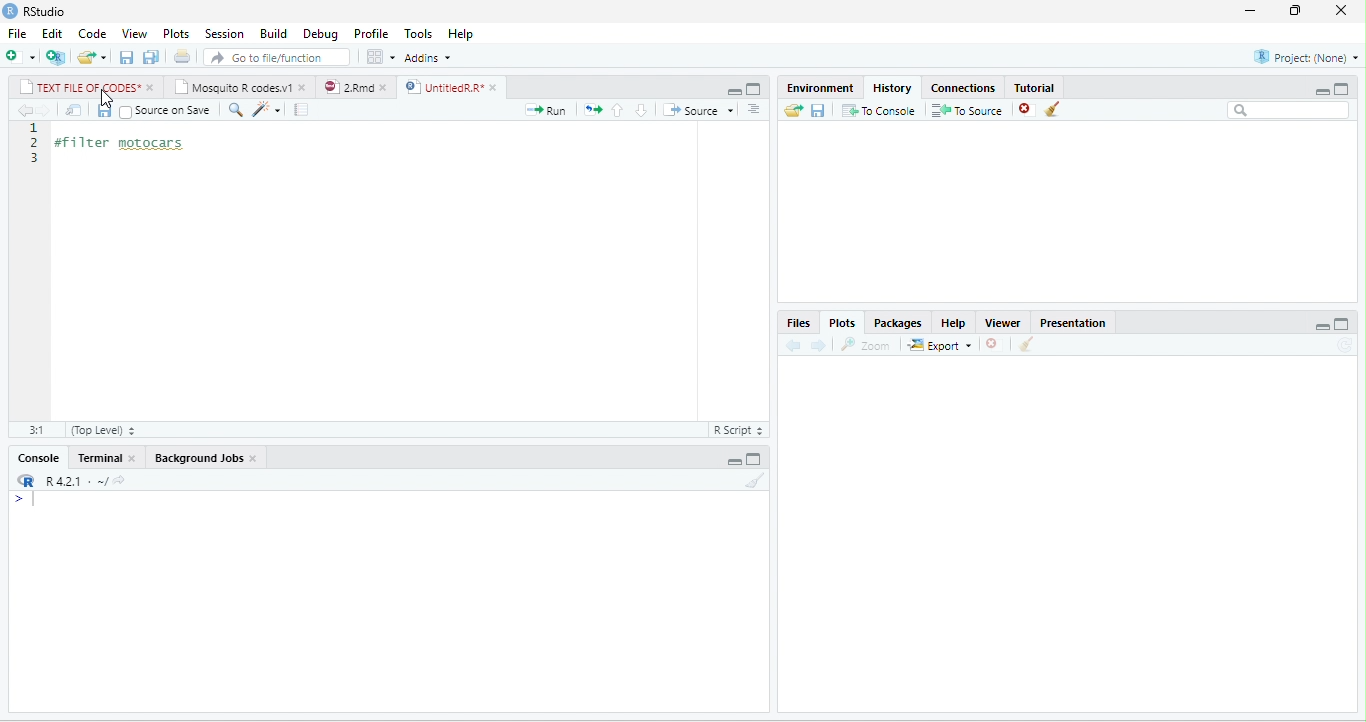 The height and width of the screenshot is (722, 1366). What do you see at coordinates (1307, 57) in the screenshot?
I see `Project(None)` at bounding box center [1307, 57].